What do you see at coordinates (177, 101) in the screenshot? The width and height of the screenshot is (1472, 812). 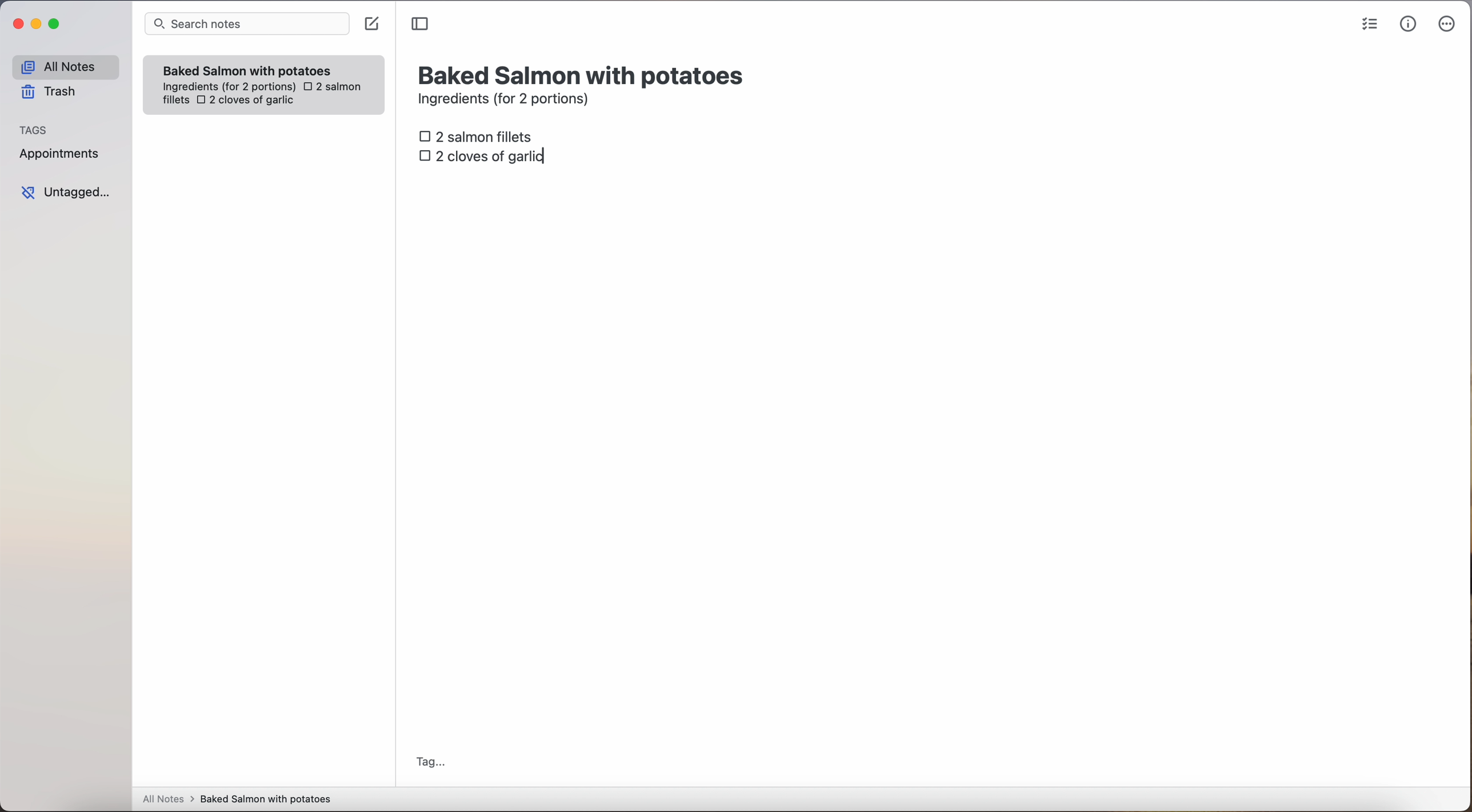 I see `fillets` at bounding box center [177, 101].